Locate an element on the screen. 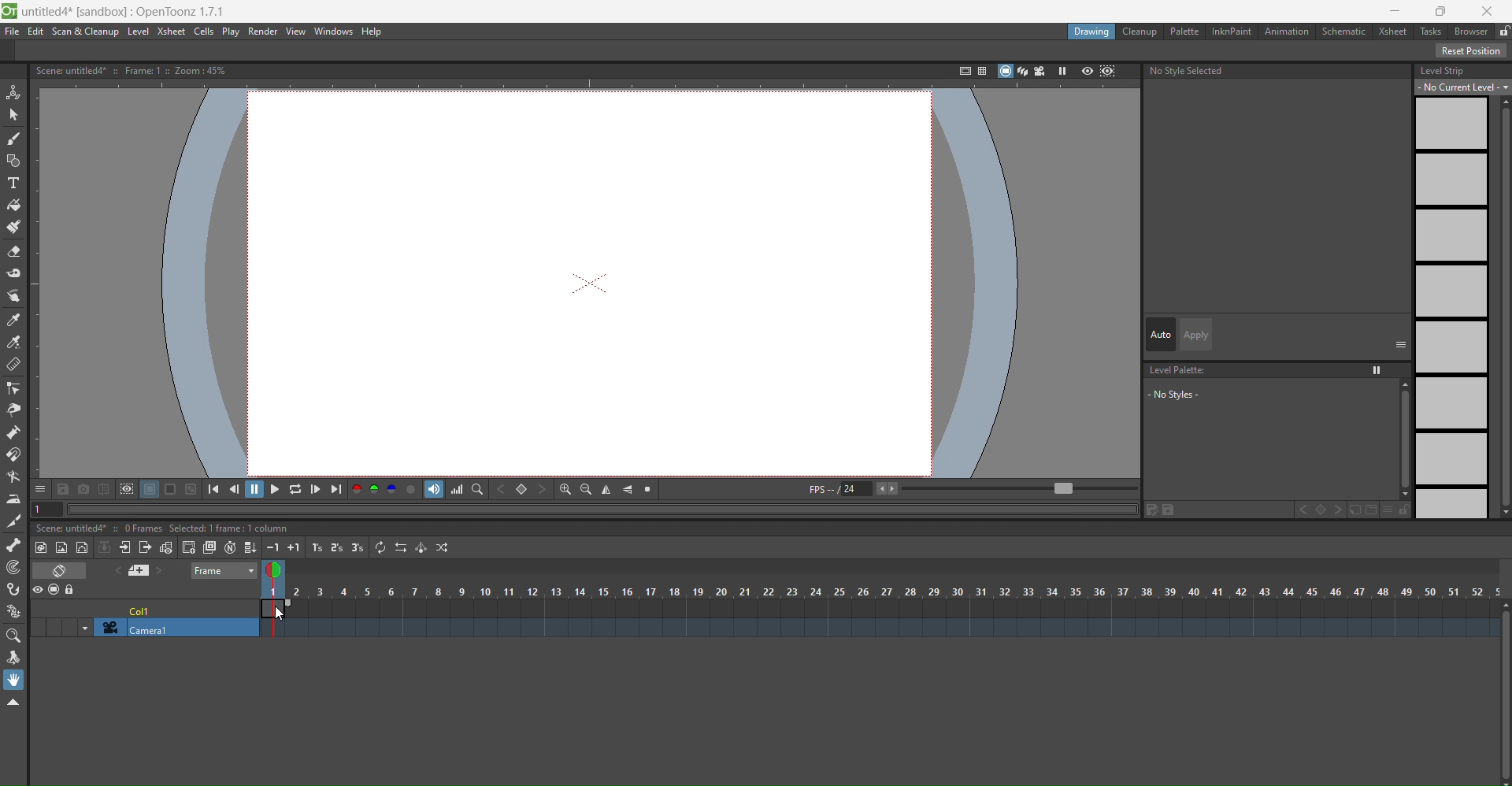 The image size is (1512, 786). toggle edit in place is located at coordinates (165, 547).